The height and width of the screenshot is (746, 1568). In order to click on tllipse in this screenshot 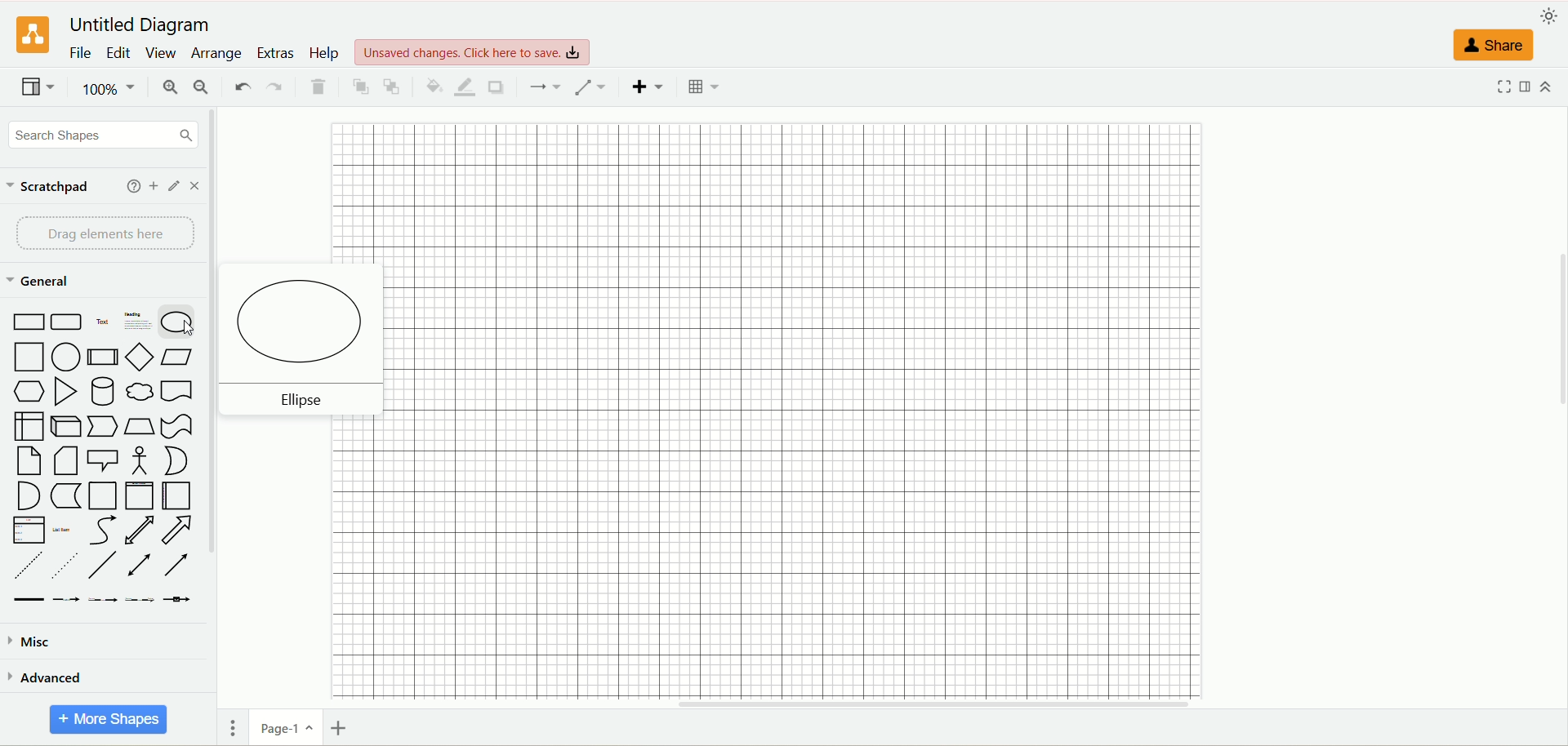, I will do `click(298, 401)`.